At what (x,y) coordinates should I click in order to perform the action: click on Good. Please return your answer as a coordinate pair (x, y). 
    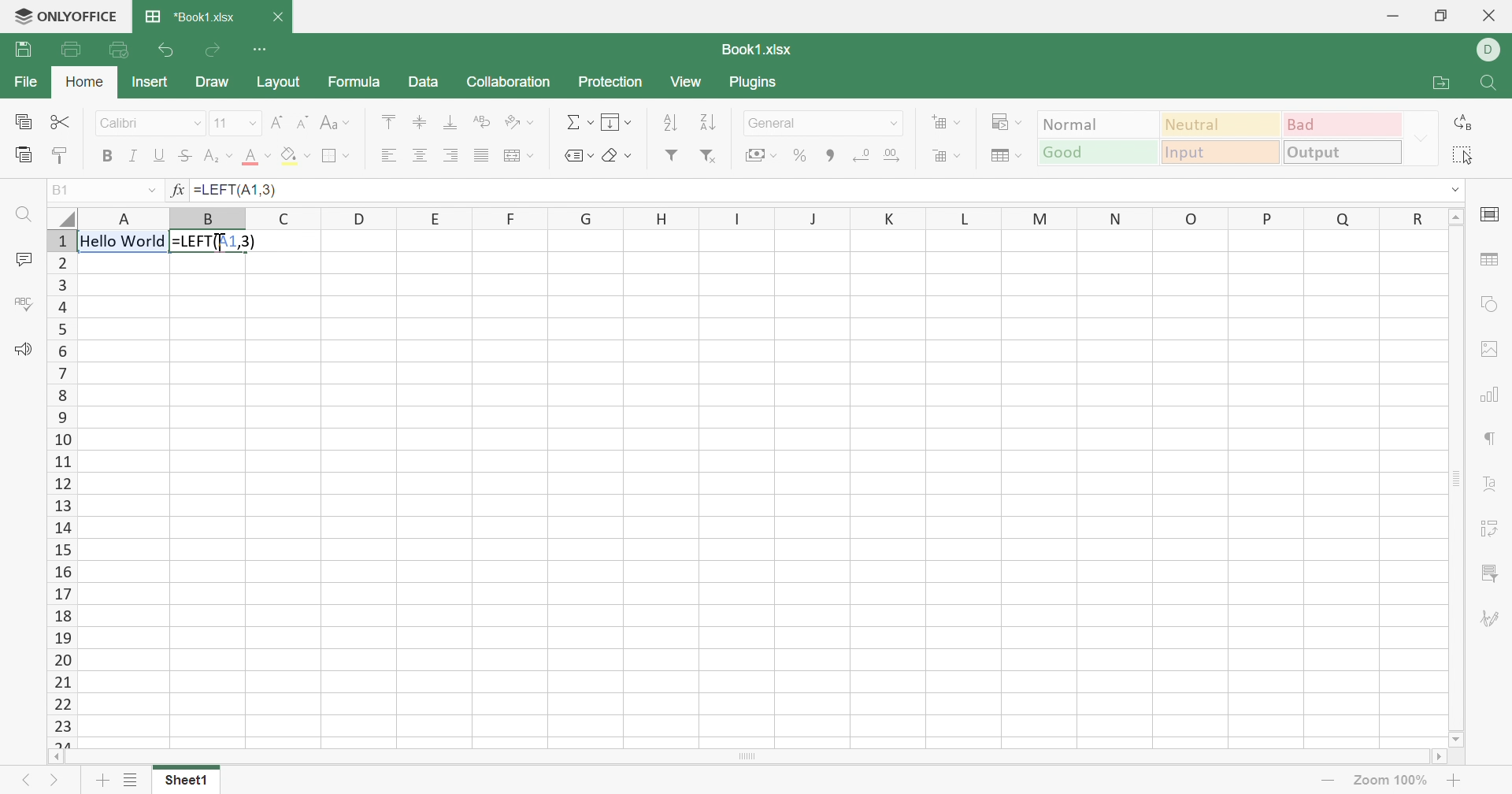
    Looking at the image, I should click on (1097, 152).